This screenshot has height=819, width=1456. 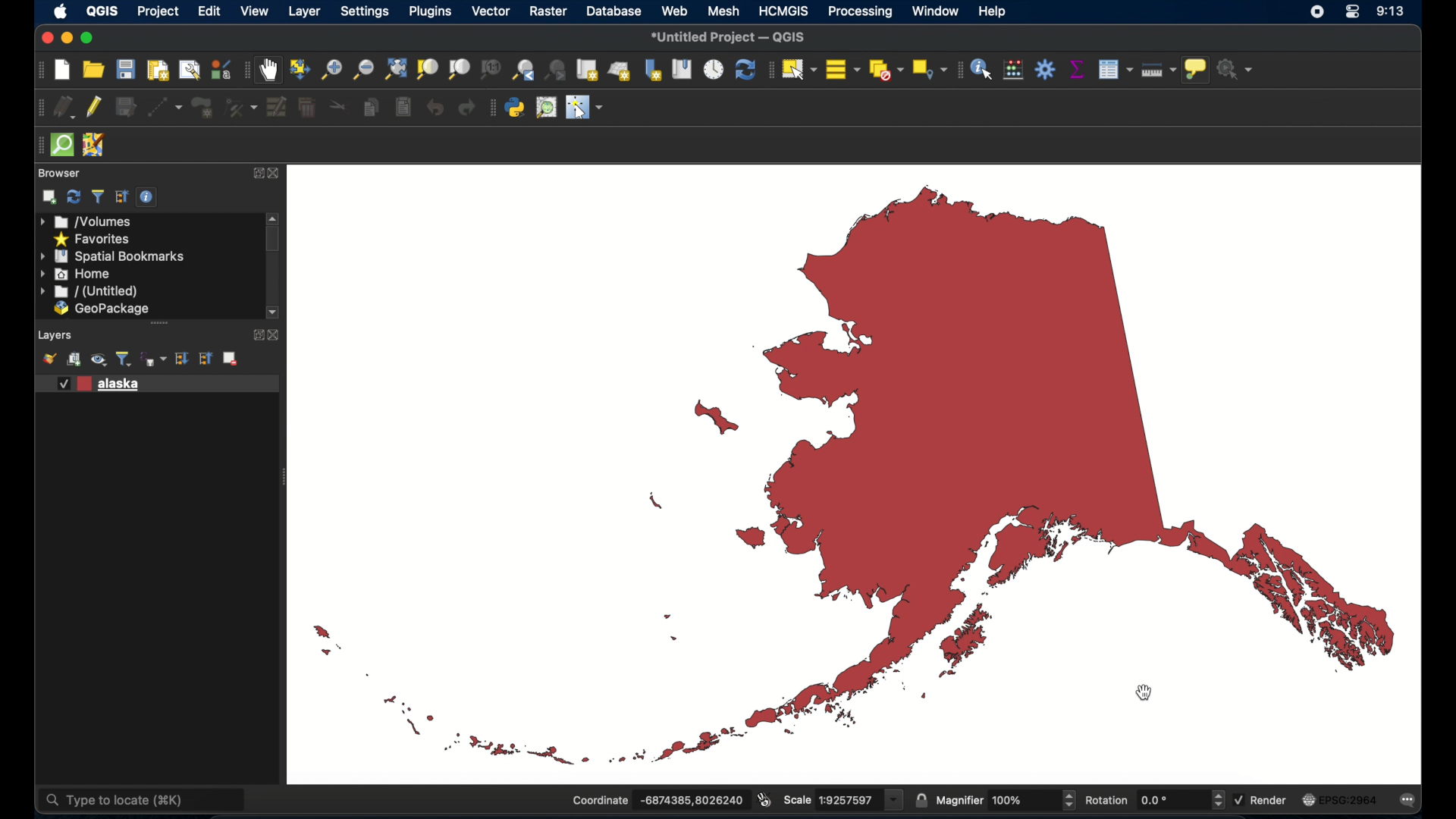 What do you see at coordinates (127, 71) in the screenshot?
I see `save project` at bounding box center [127, 71].